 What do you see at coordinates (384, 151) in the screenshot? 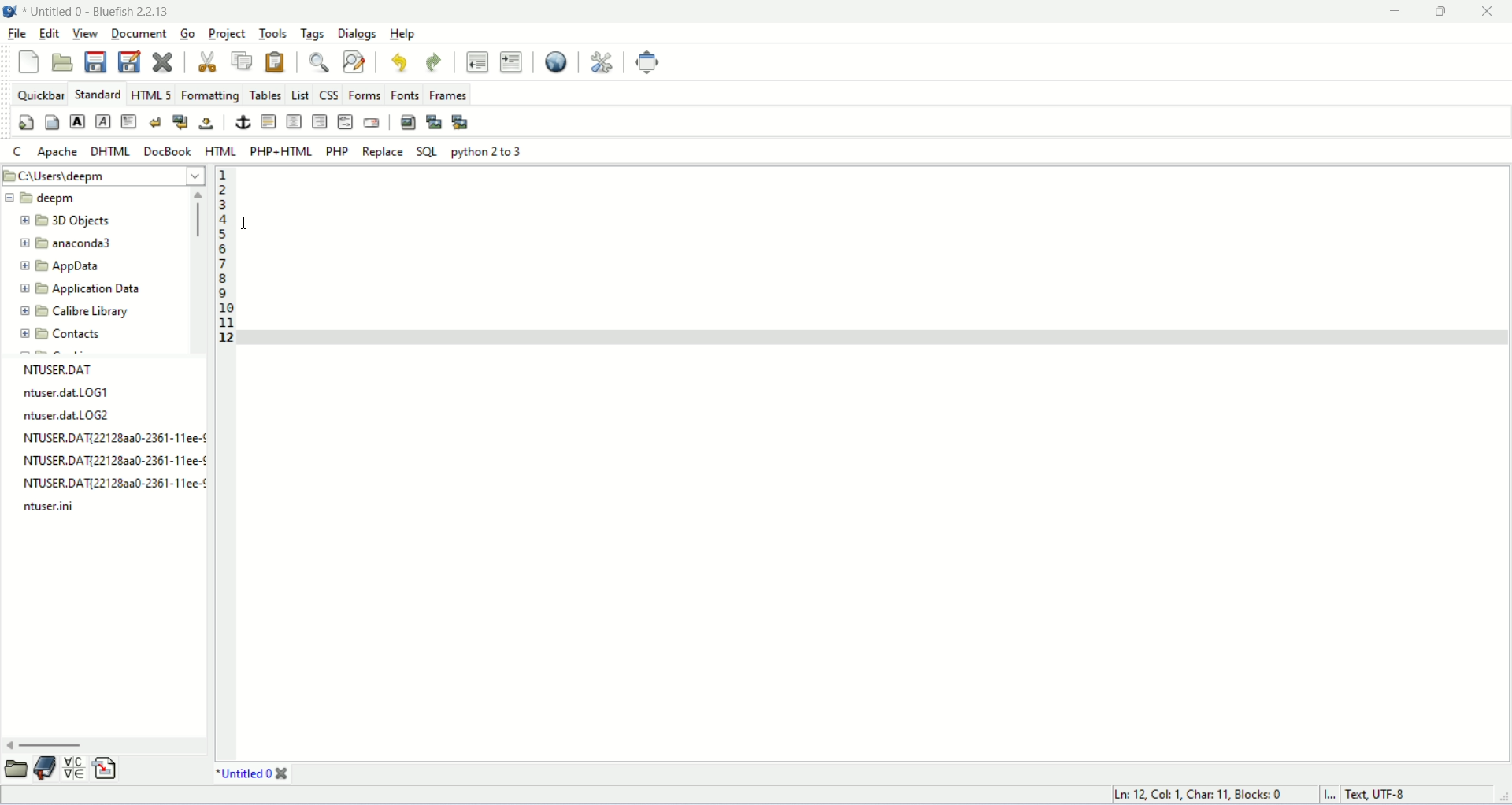
I see `Replace` at bounding box center [384, 151].